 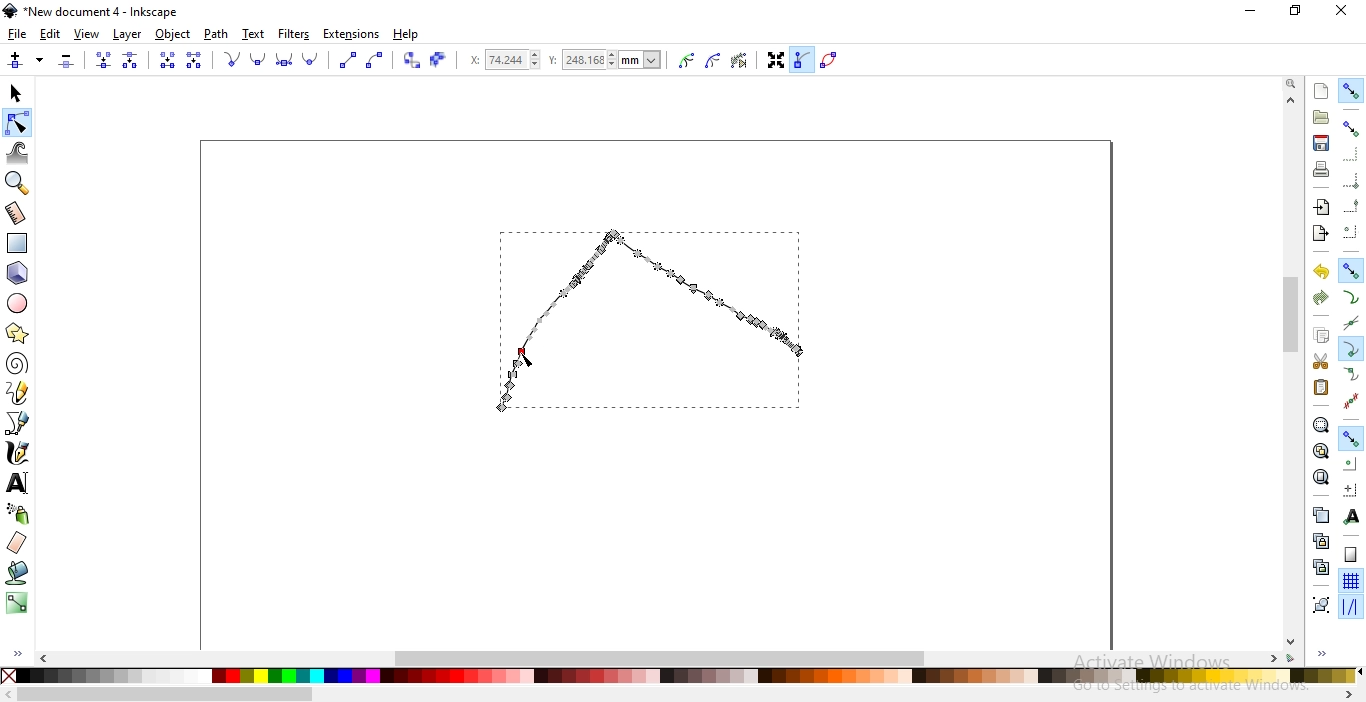 What do you see at coordinates (287, 61) in the screenshot?
I see `make selected nodes symmetric` at bounding box center [287, 61].